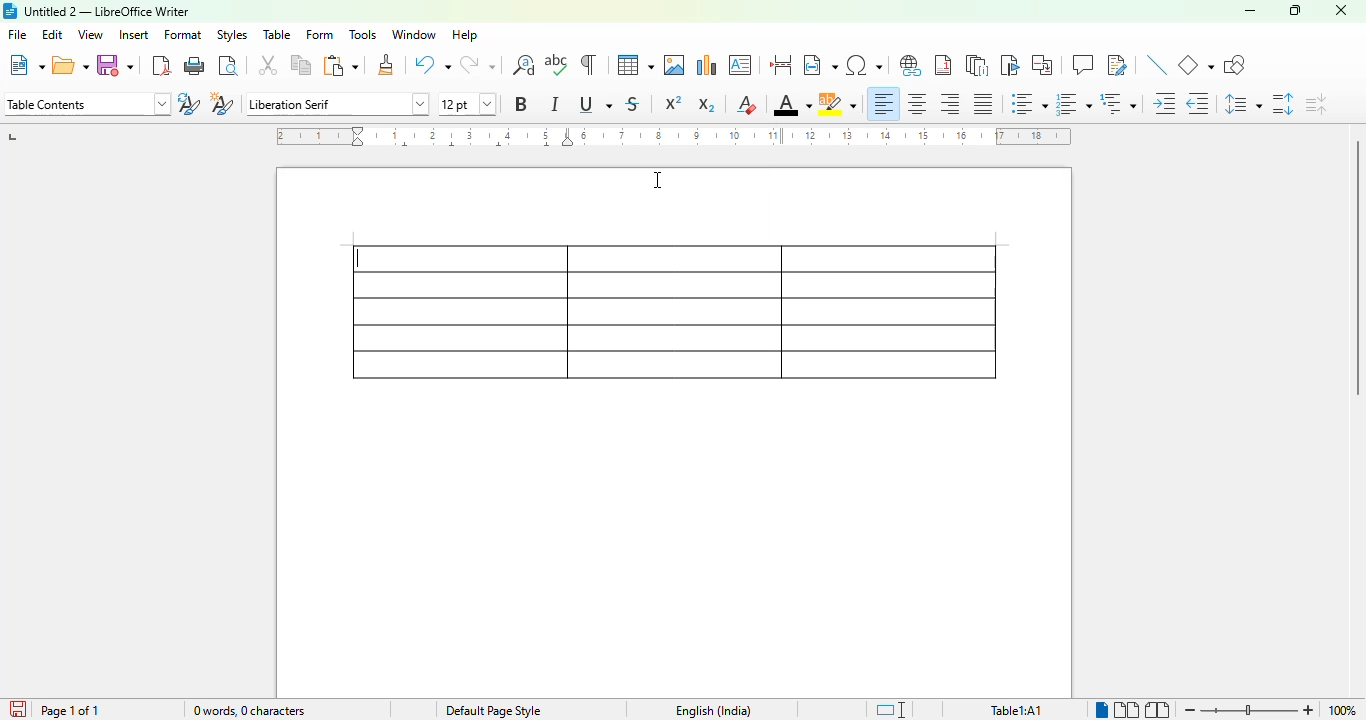 This screenshot has height=720, width=1366. I want to click on file, so click(18, 34).